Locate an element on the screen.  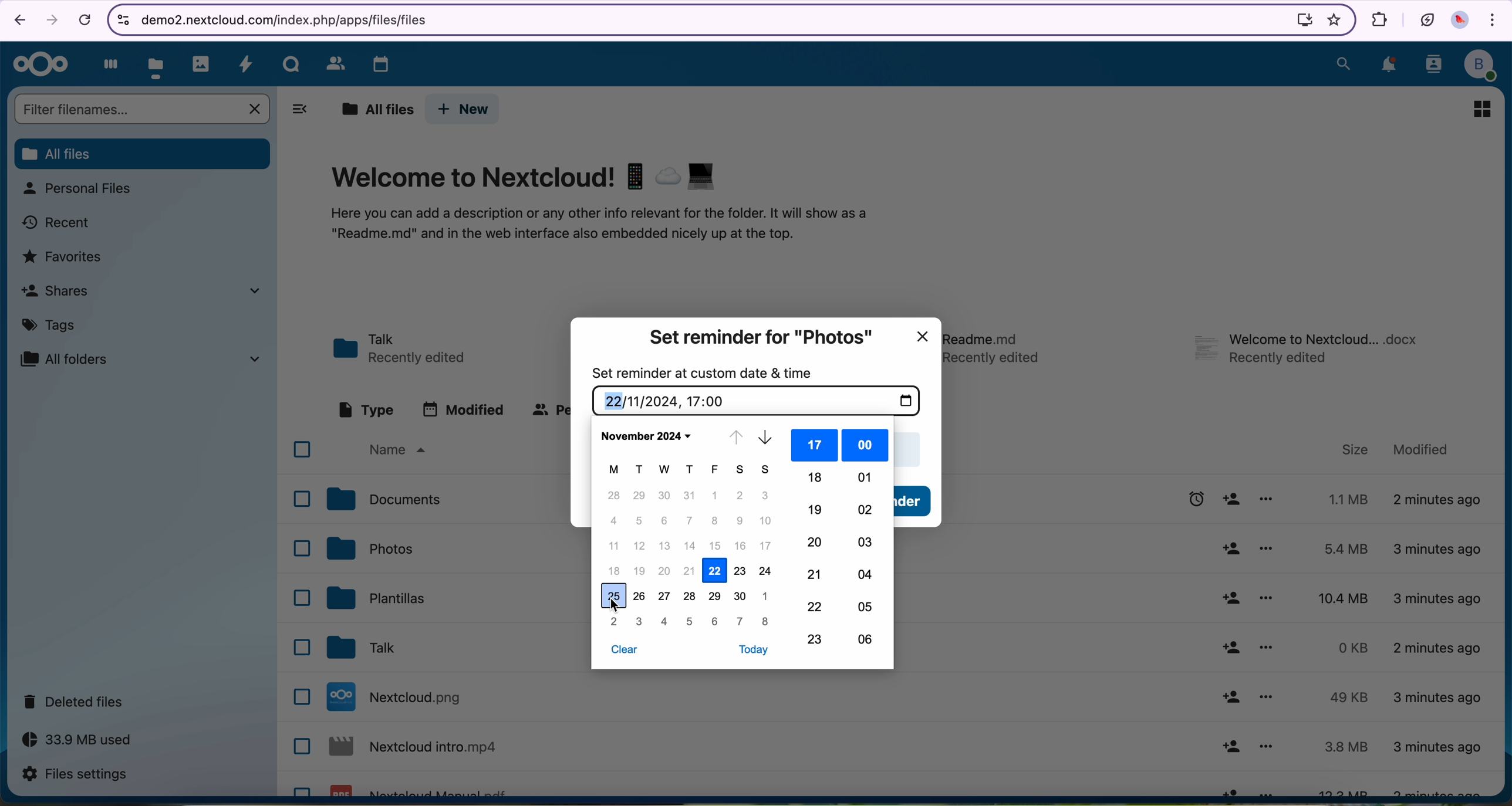
share is located at coordinates (1227, 550).